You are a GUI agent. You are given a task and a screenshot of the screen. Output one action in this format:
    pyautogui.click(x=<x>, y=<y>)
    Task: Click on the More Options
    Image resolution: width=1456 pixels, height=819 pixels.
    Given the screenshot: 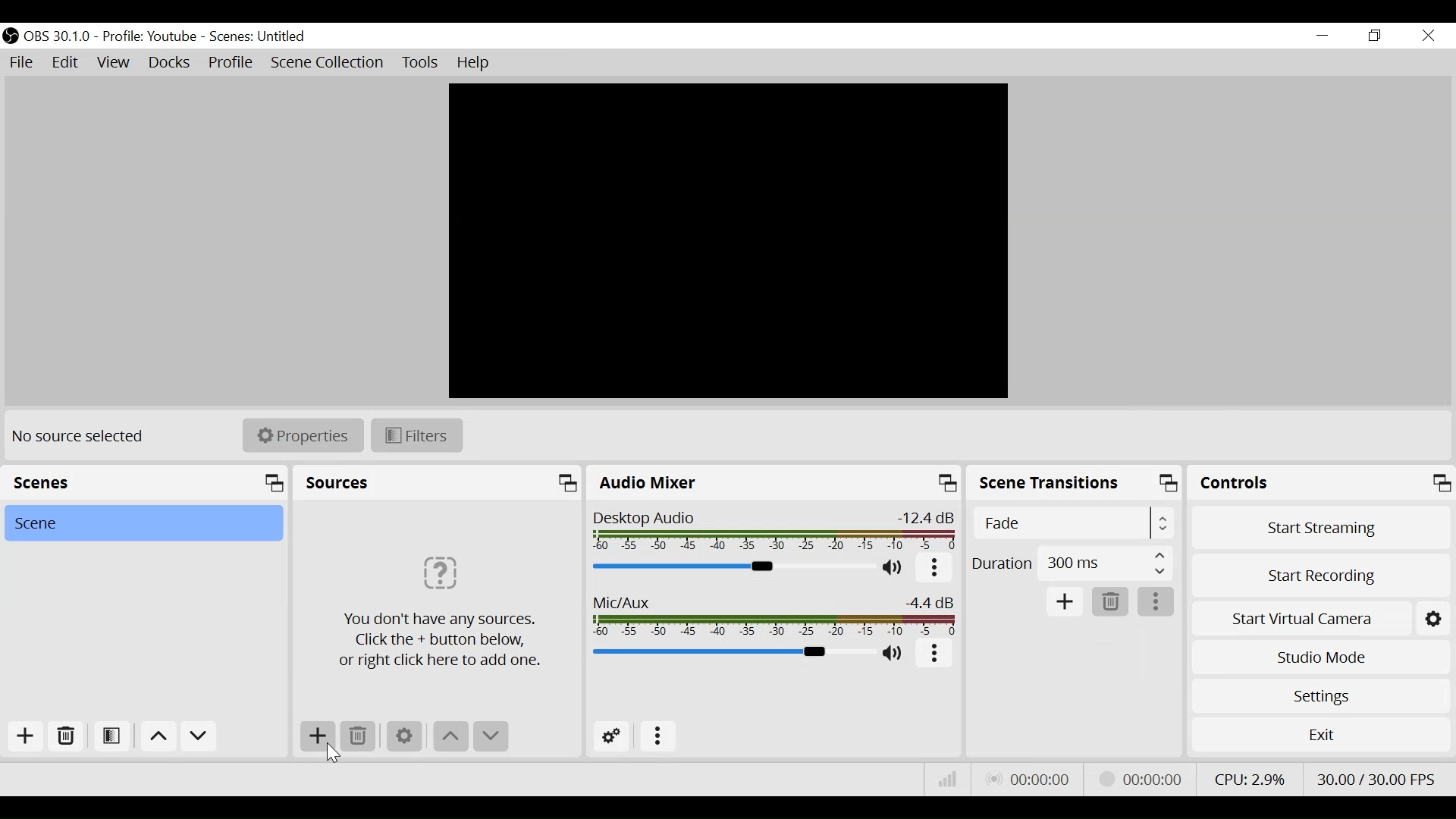 What is the action you would take?
    pyautogui.click(x=662, y=734)
    